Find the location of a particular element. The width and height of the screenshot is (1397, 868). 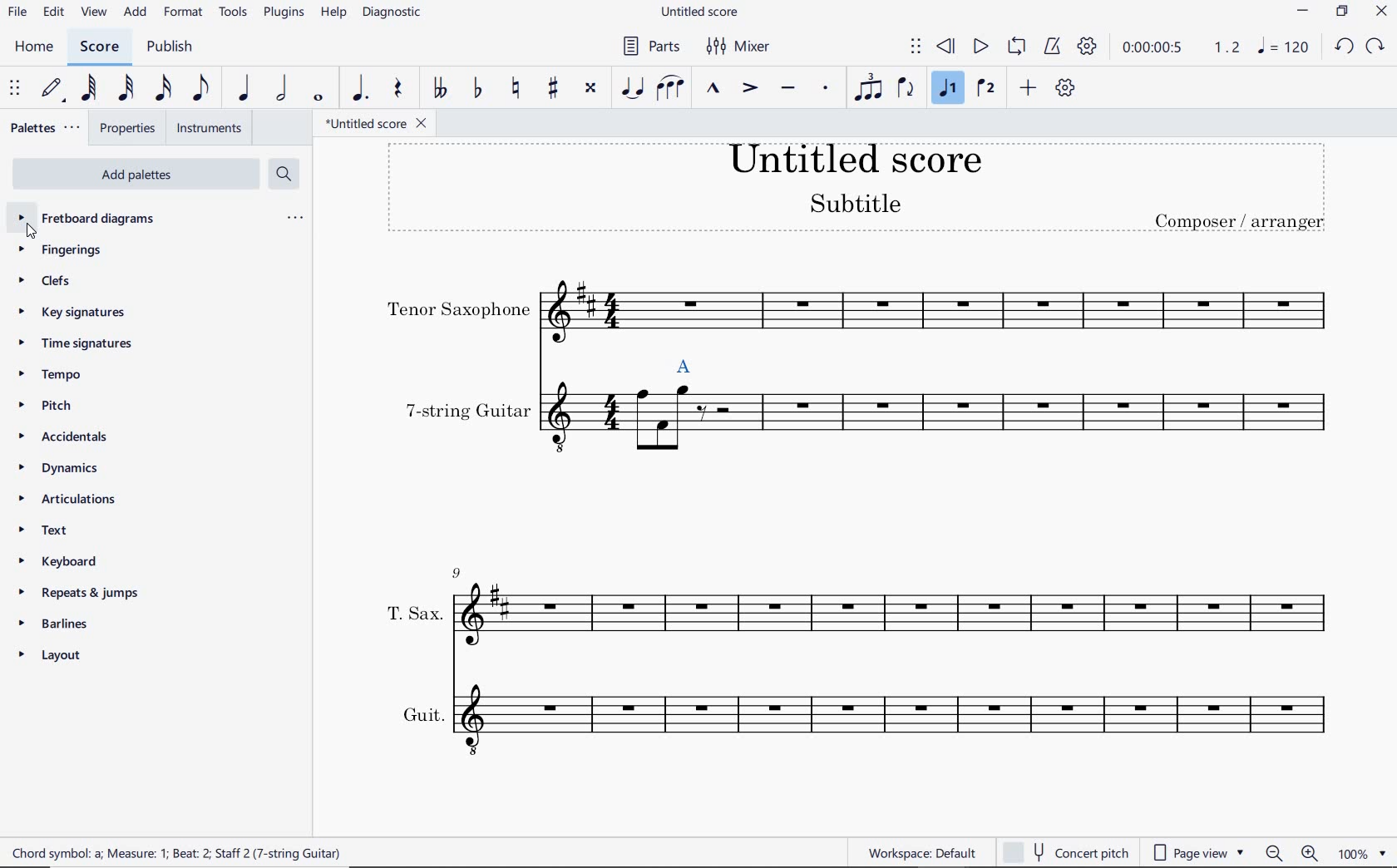

PLAY is located at coordinates (980, 46).